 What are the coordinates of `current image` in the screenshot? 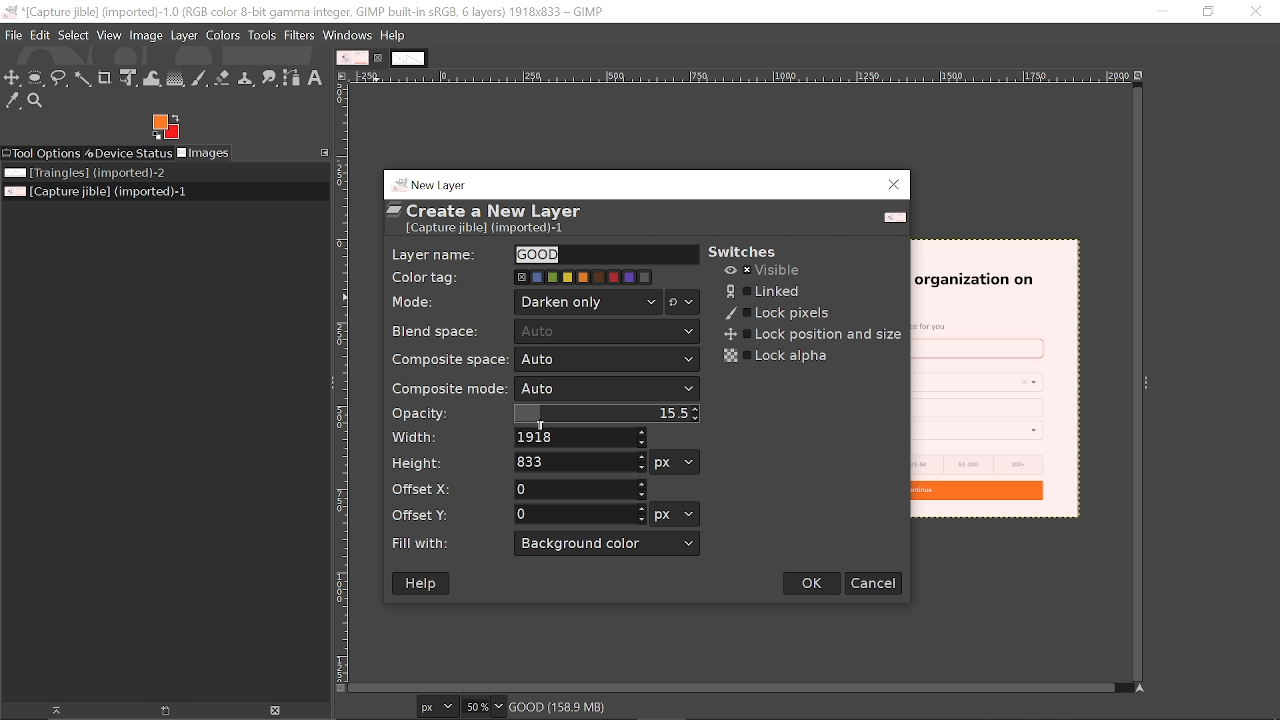 It's located at (996, 381).